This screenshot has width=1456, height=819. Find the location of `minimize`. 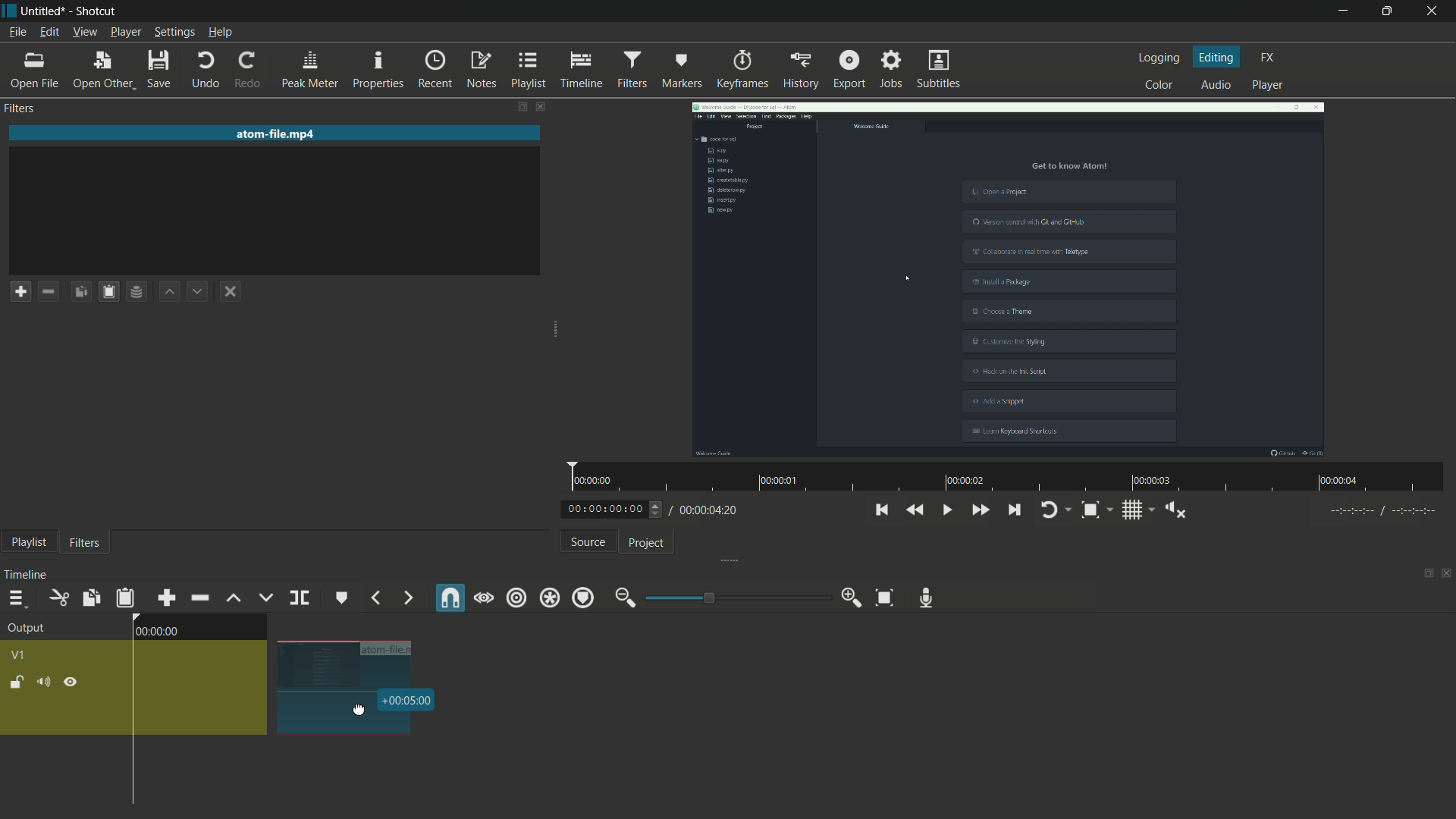

minimize is located at coordinates (1339, 11).